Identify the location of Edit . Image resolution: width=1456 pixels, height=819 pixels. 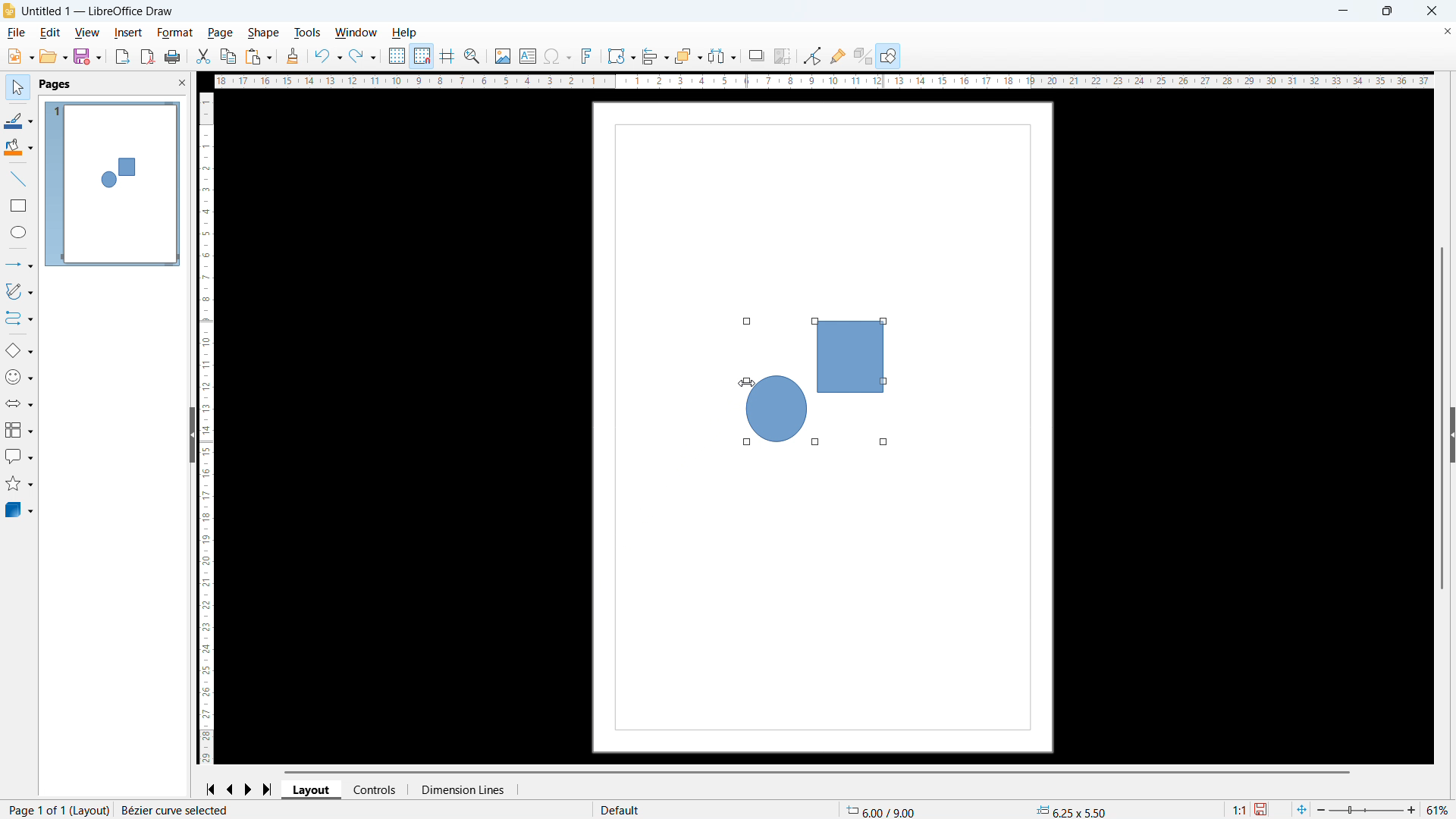
(52, 33).